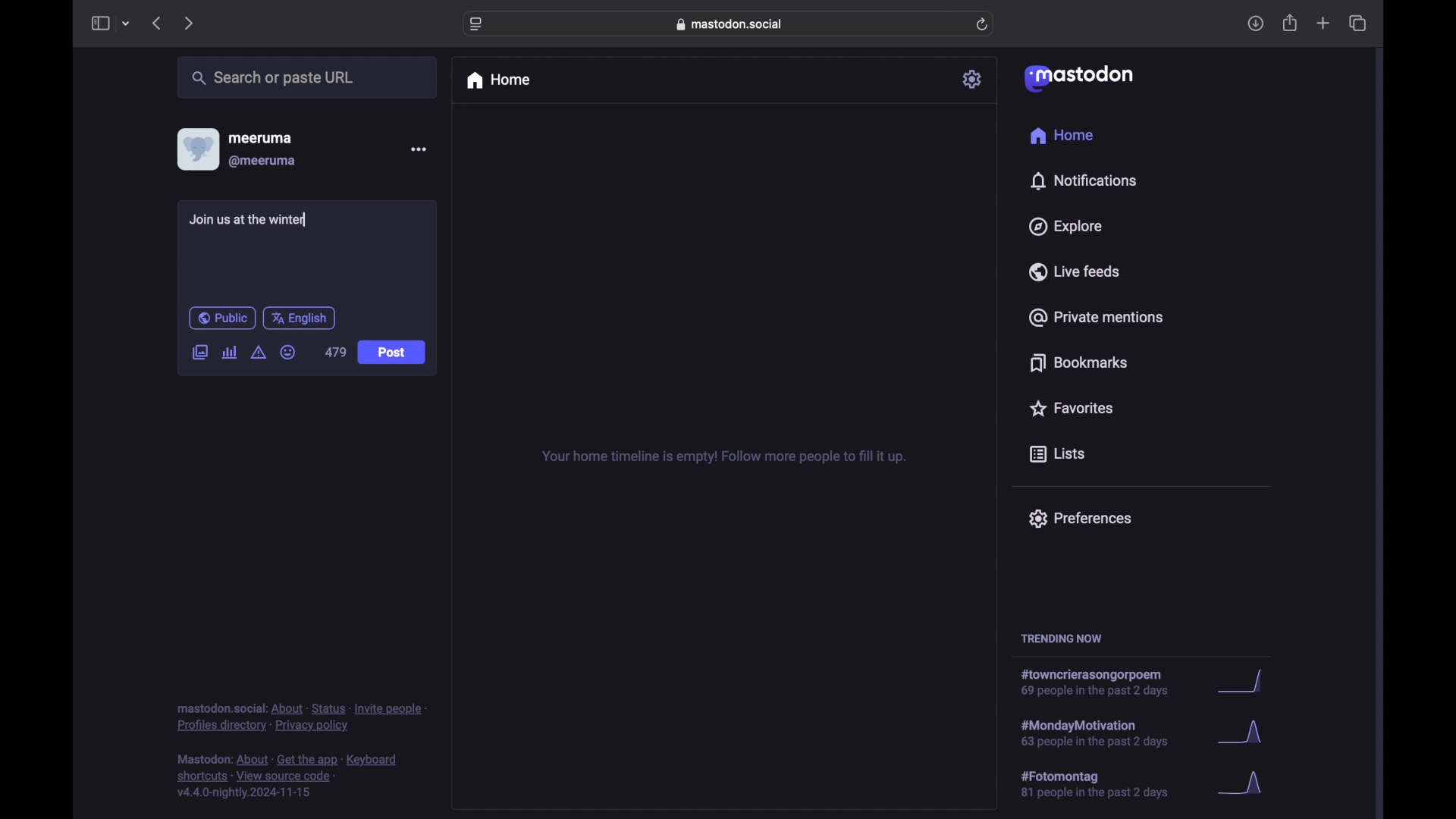 The width and height of the screenshot is (1456, 819). Describe the element at coordinates (229, 352) in the screenshot. I see `add  poll` at that location.